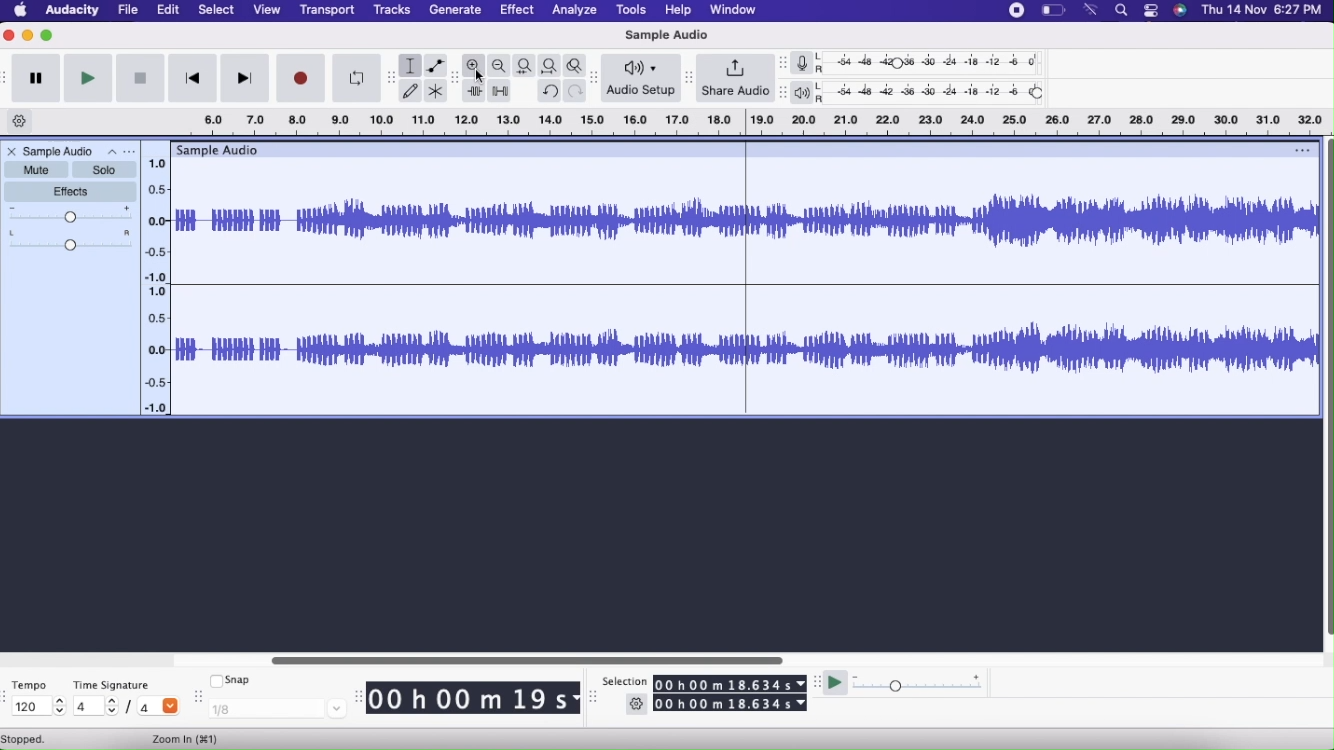  I want to click on 00 h 00 m 18.634 s, so click(730, 704).